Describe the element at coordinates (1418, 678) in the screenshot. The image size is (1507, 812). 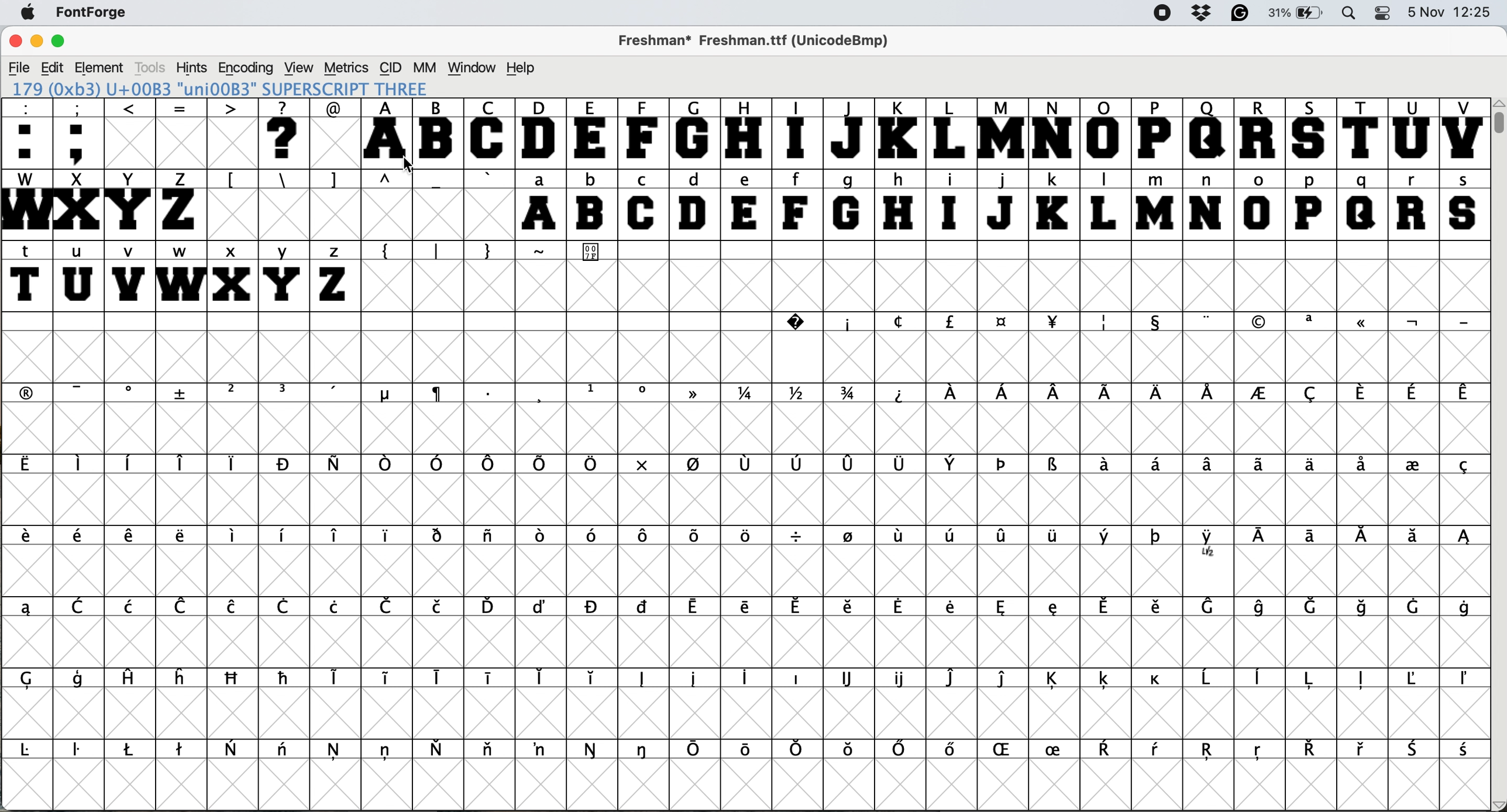
I see `symbol` at that location.